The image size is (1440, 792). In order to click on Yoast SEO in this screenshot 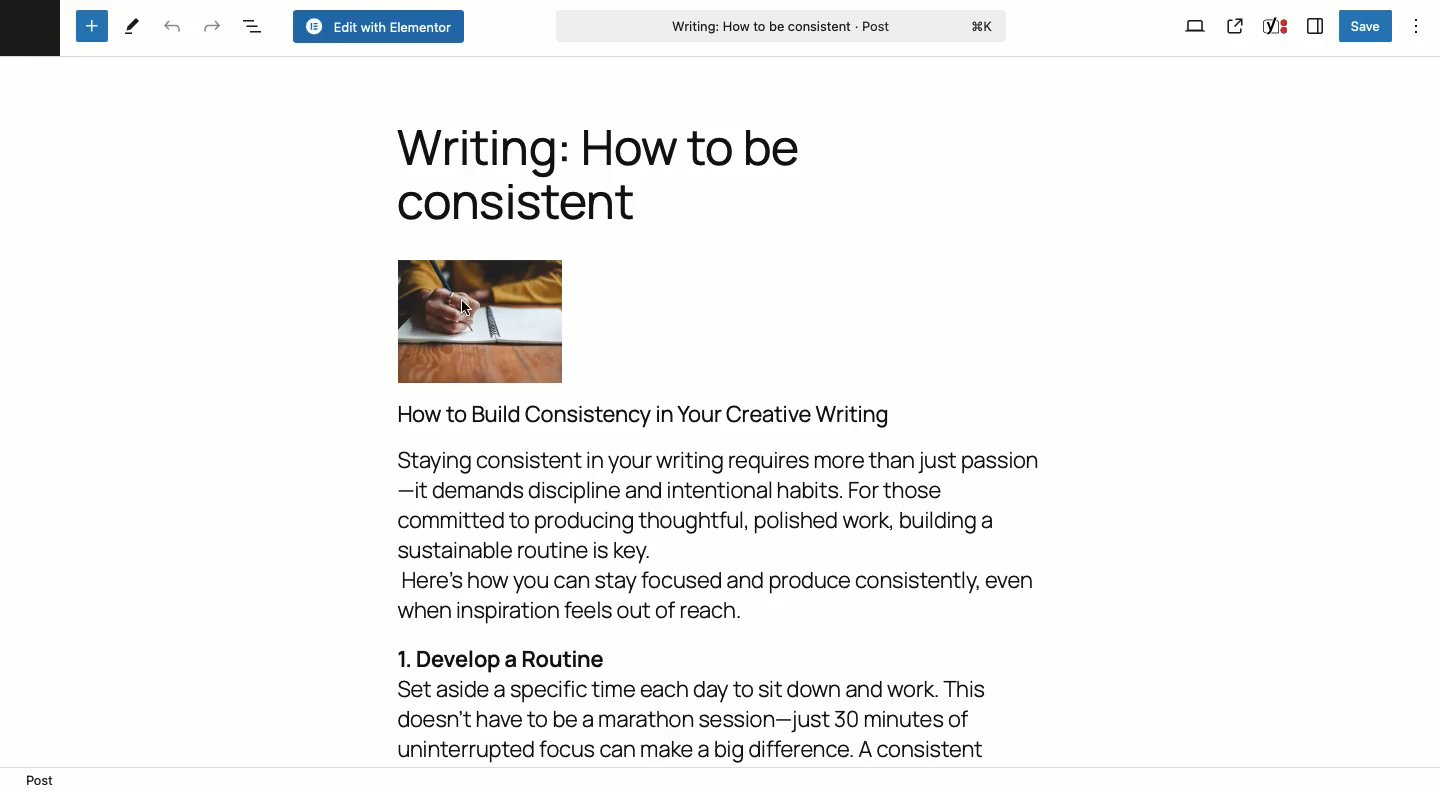, I will do `click(1274, 28)`.